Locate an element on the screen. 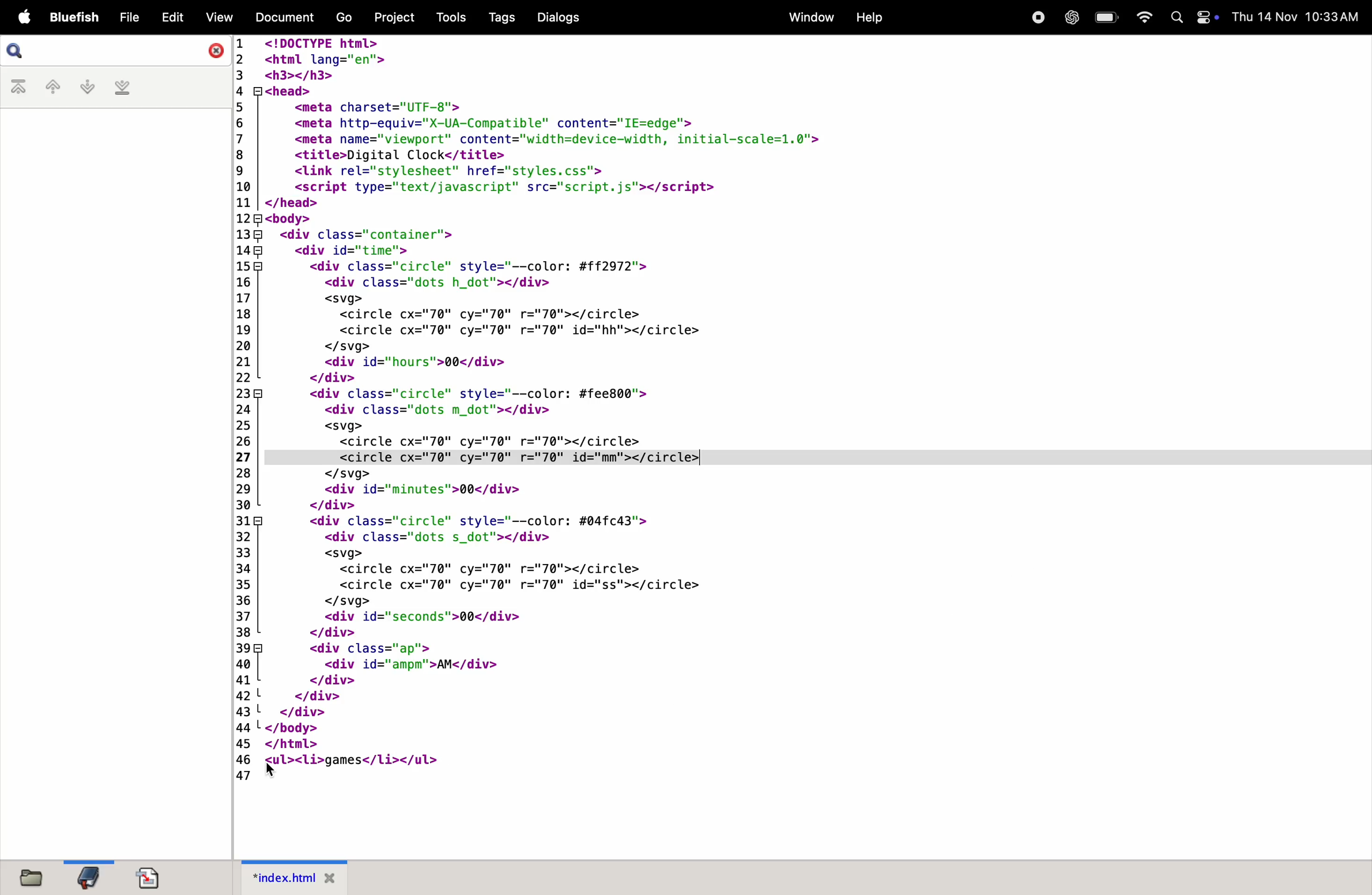 This screenshot has width=1372, height=895. Apple menu is located at coordinates (22, 16).